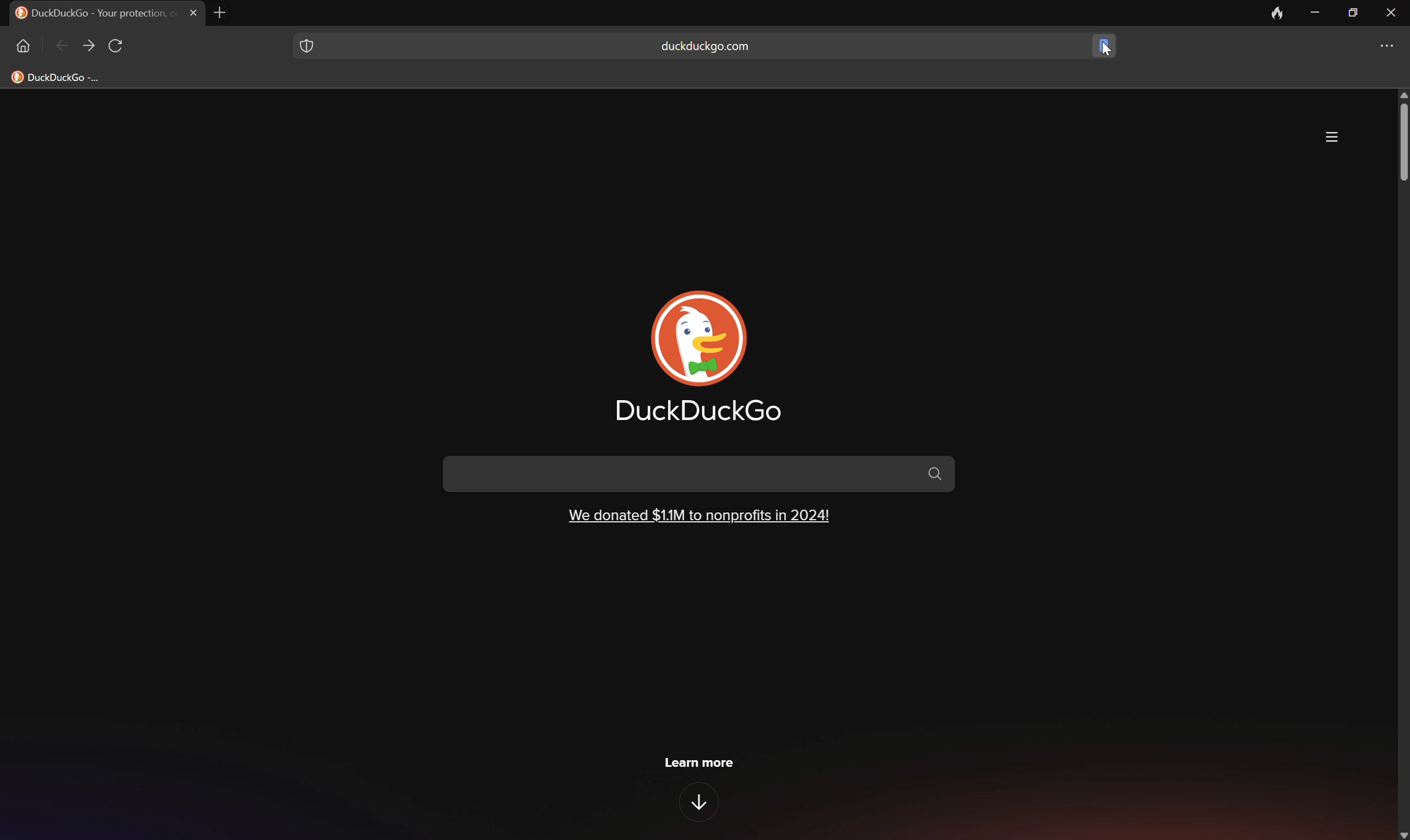  What do you see at coordinates (225, 12) in the screenshot?
I see `New tab` at bounding box center [225, 12].